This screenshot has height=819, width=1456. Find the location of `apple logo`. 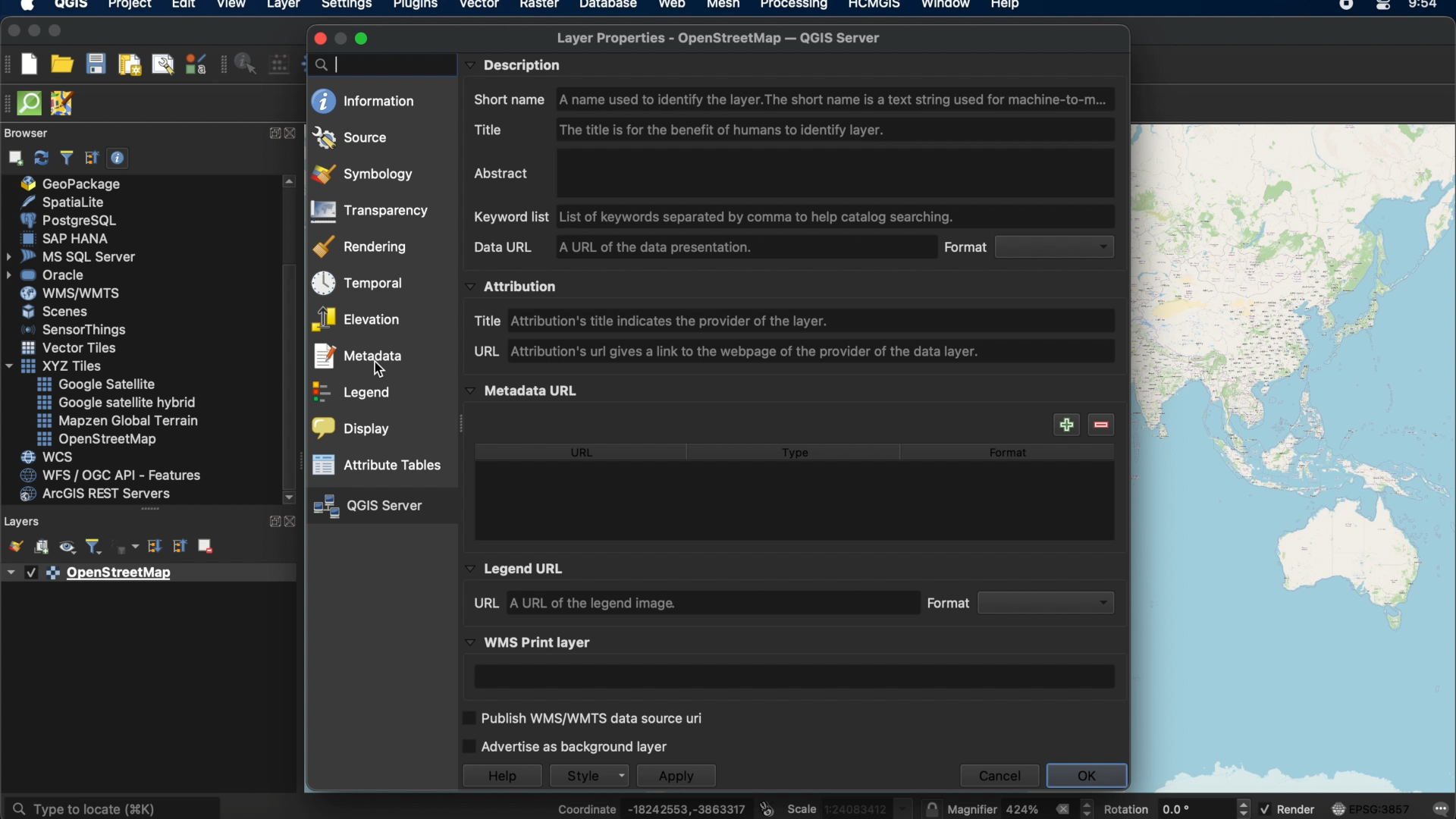

apple logo is located at coordinates (25, 6).